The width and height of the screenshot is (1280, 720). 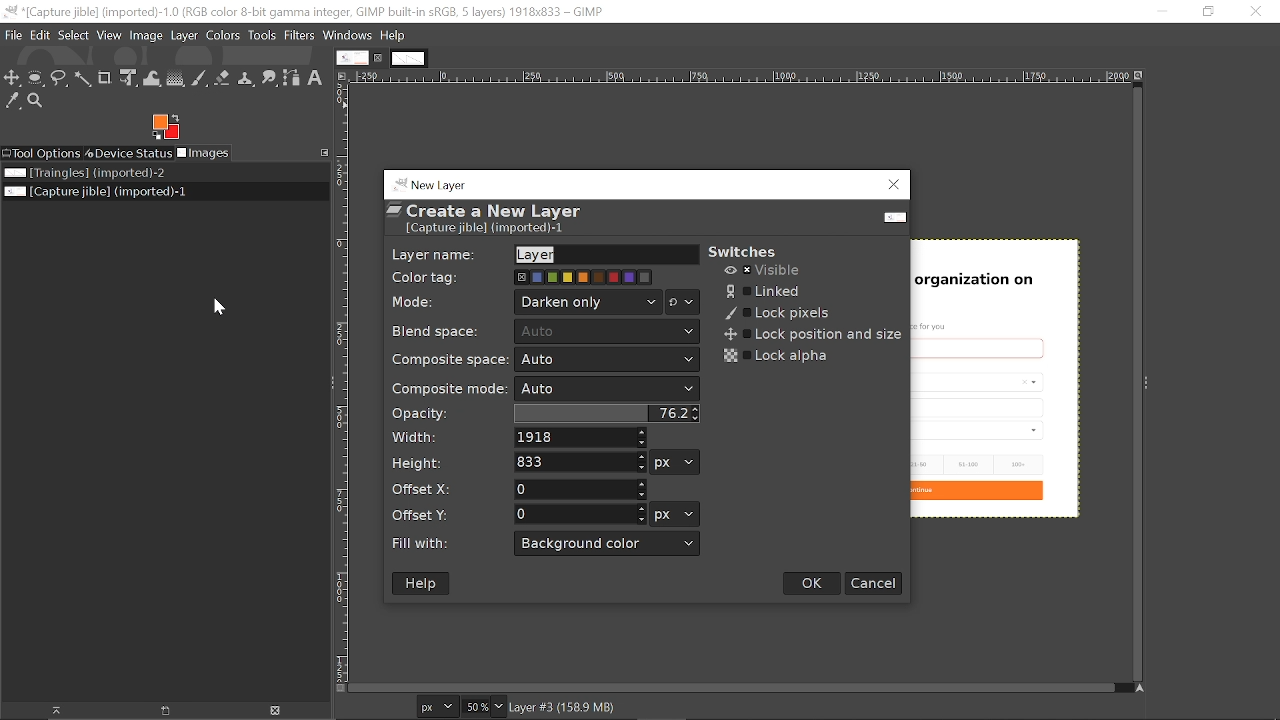 I want to click on cursor, so click(x=225, y=300).